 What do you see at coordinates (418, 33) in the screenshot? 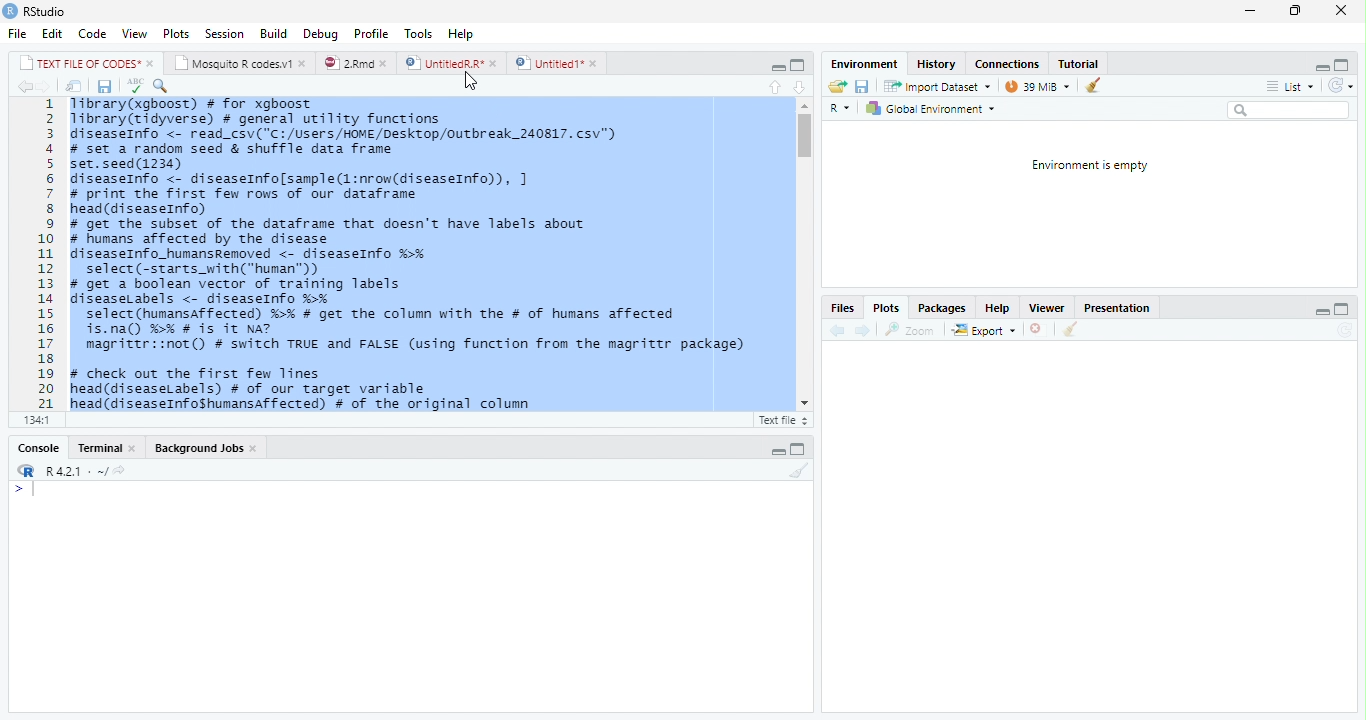
I see `Tools` at bounding box center [418, 33].